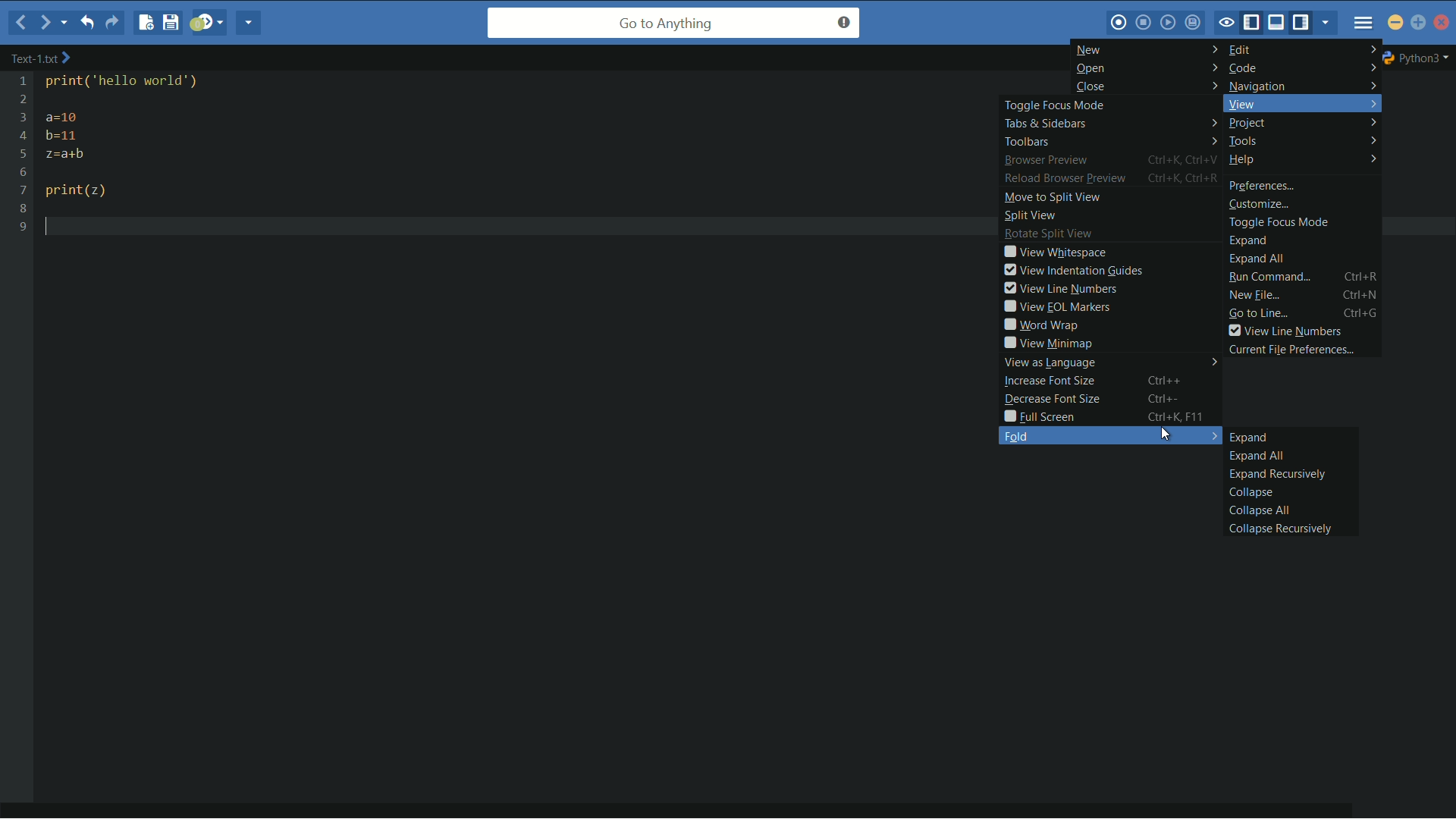 The image size is (1456, 819). What do you see at coordinates (1147, 49) in the screenshot?
I see `new` at bounding box center [1147, 49].